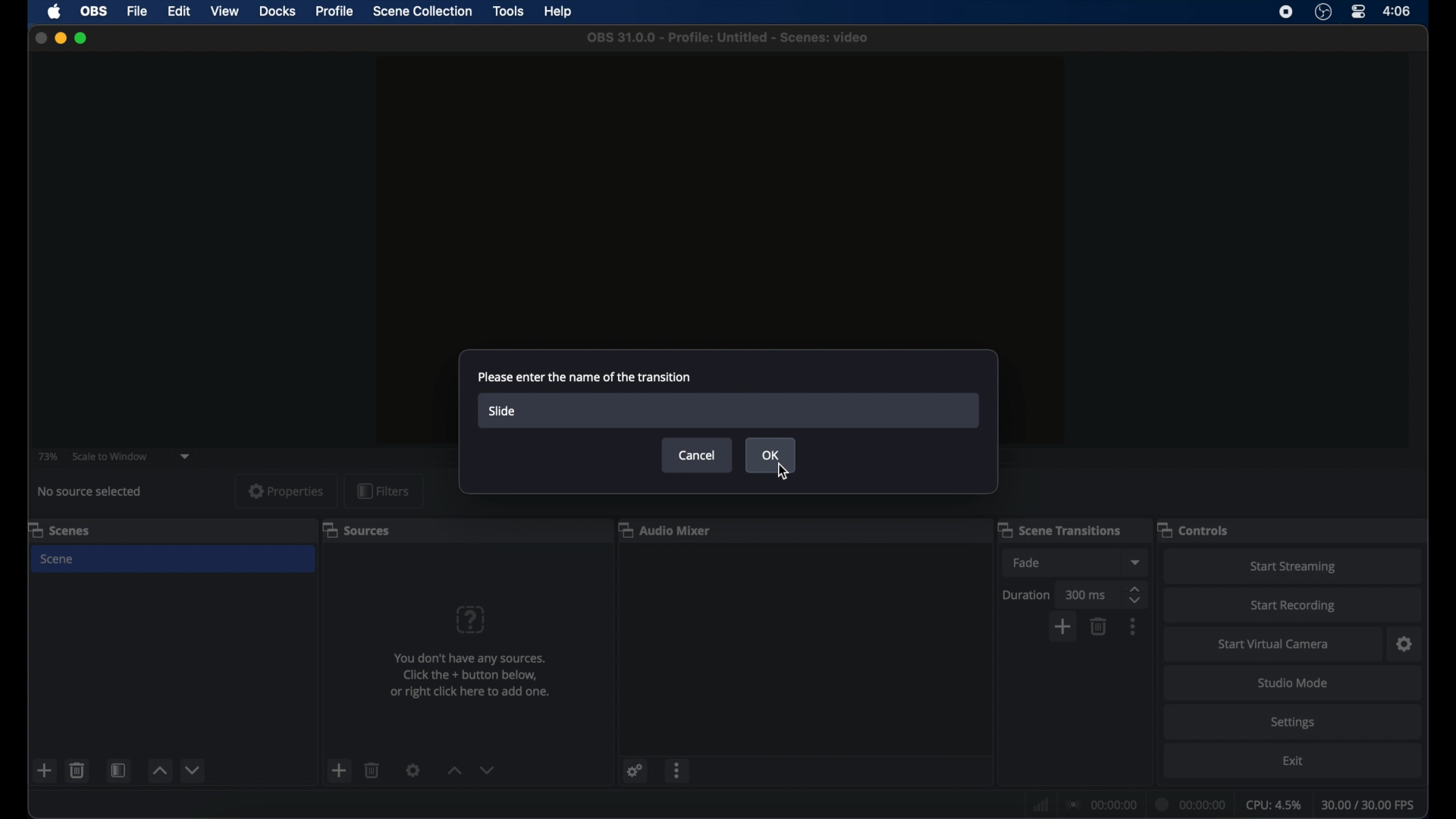 This screenshot has width=1456, height=819. Describe the element at coordinates (720, 202) in the screenshot. I see `preview` at that location.